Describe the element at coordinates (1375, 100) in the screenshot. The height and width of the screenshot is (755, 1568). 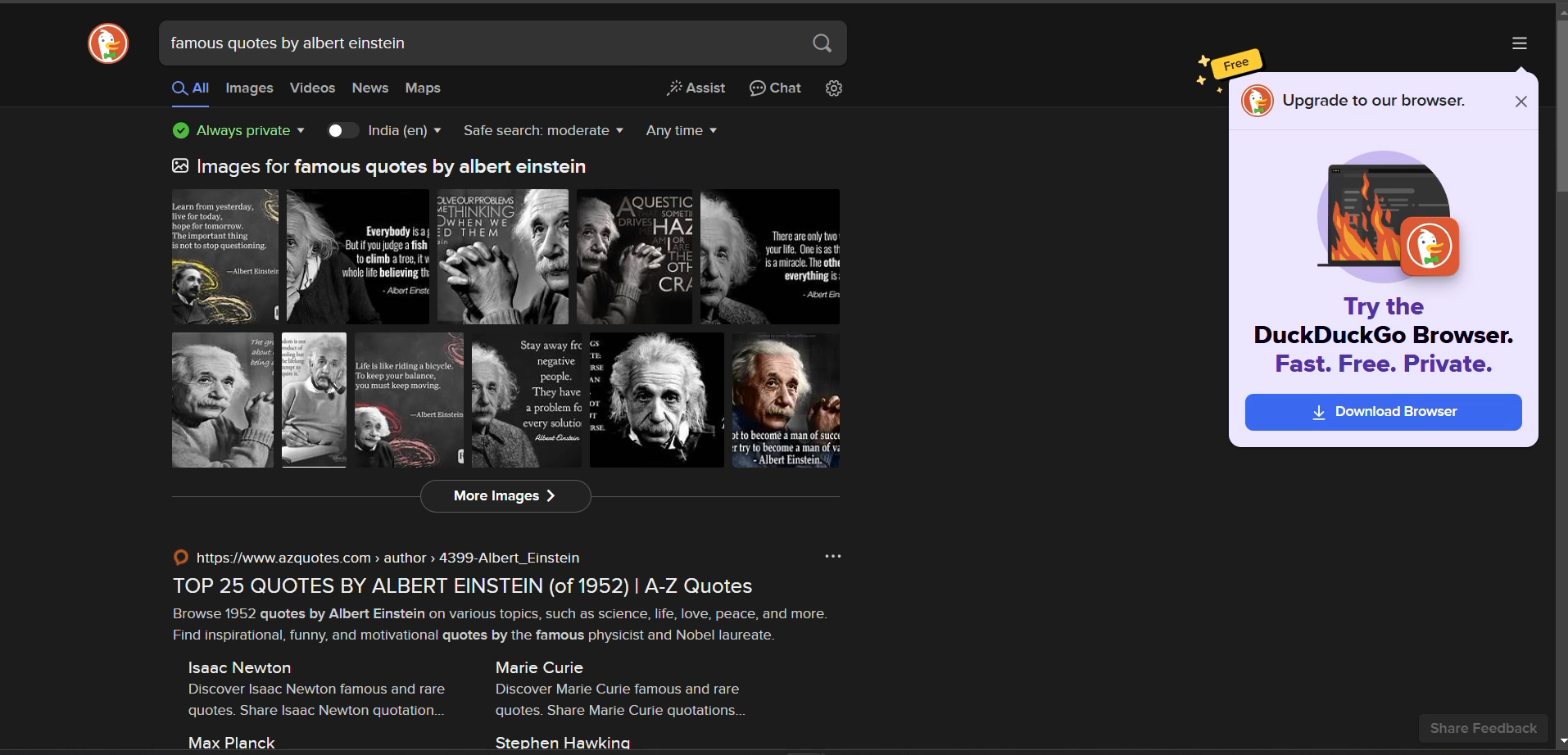
I see `Upgrade to our browser.` at that location.